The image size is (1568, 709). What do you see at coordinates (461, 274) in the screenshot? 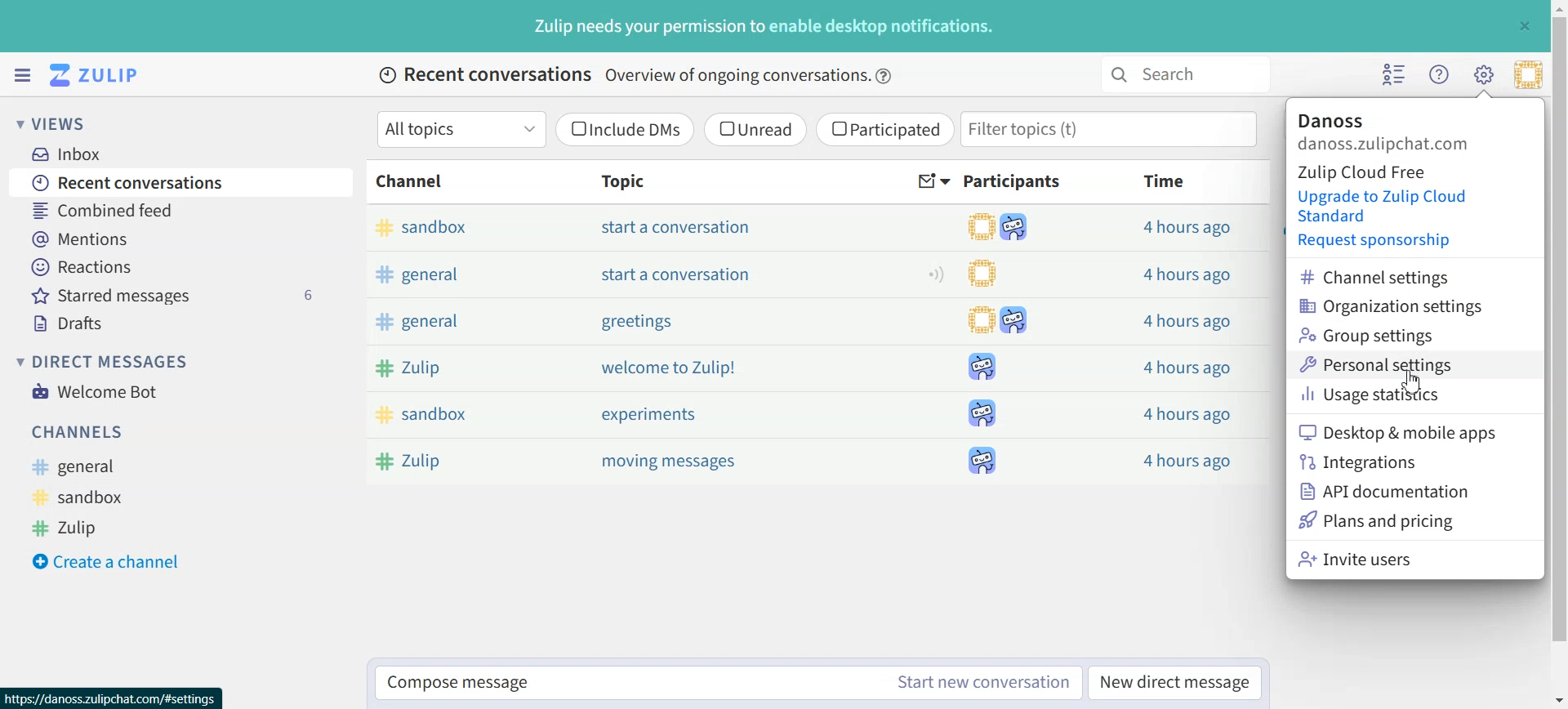
I see `#general` at bounding box center [461, 274].